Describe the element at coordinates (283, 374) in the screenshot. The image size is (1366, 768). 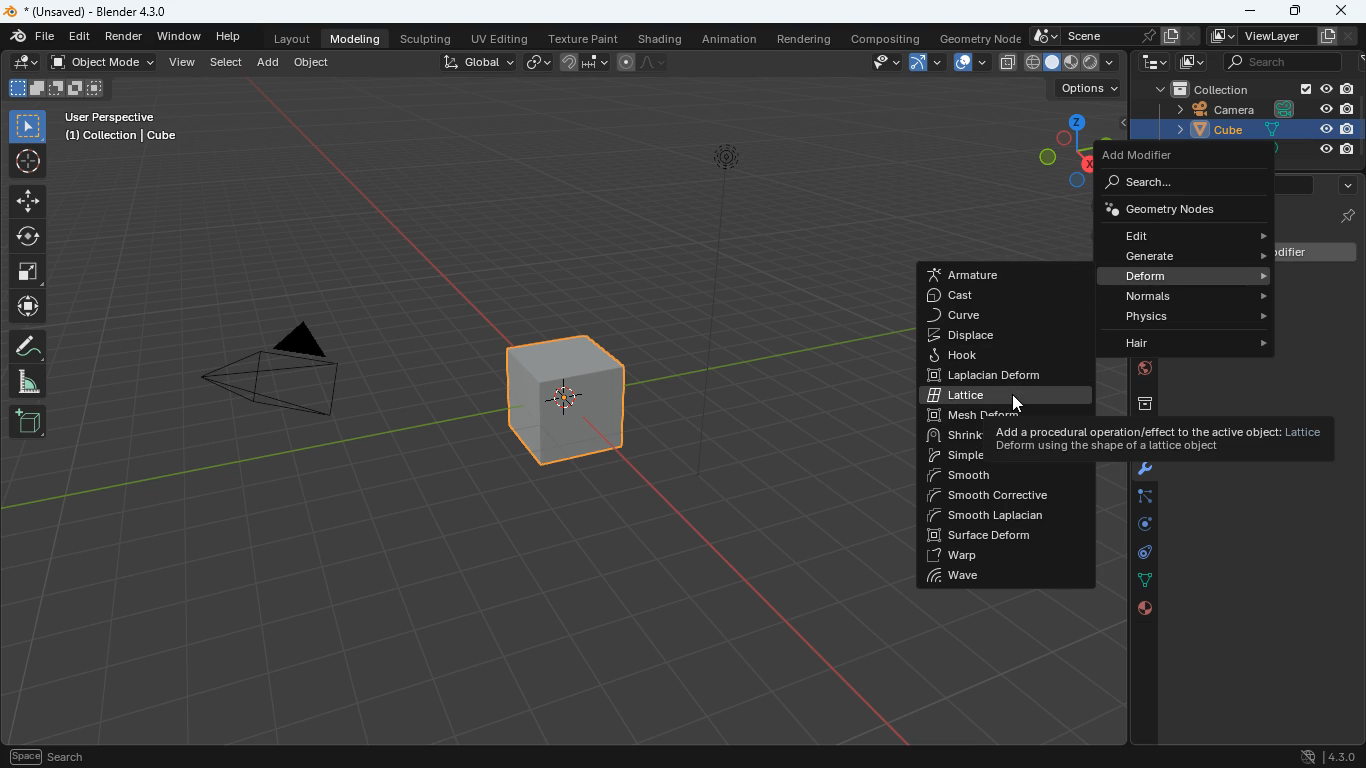
I see `camera` at that location.